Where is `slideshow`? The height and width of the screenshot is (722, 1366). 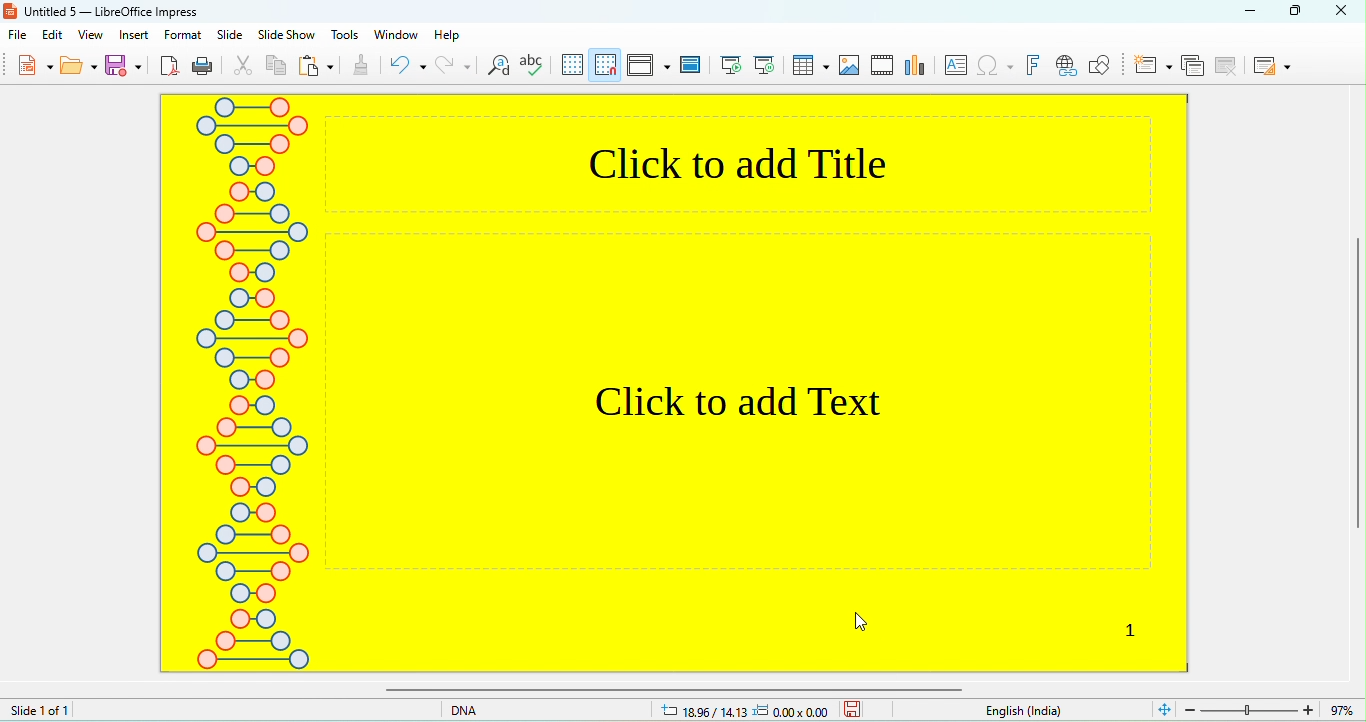
slideshow is located at coordinates (285, 36).